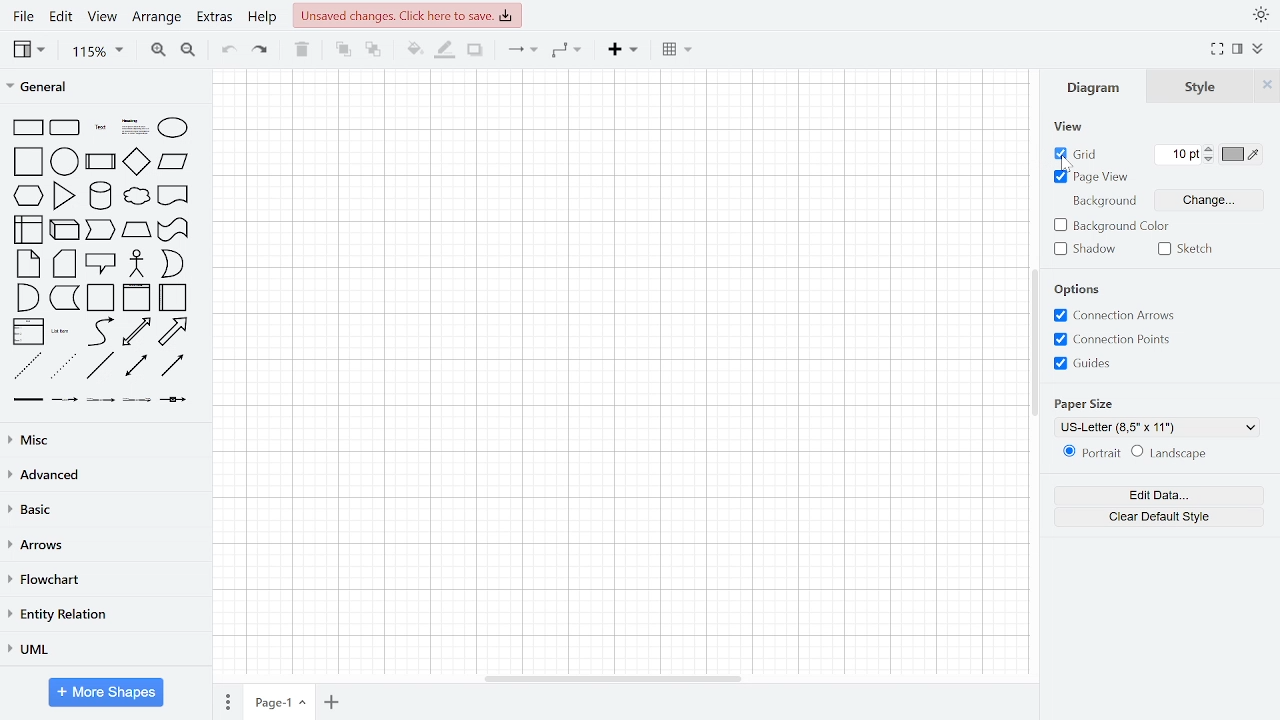  What do you see at coordinates (65, 366) in the screenshot?
I see `dotted line` at bounding box center [65, 366].